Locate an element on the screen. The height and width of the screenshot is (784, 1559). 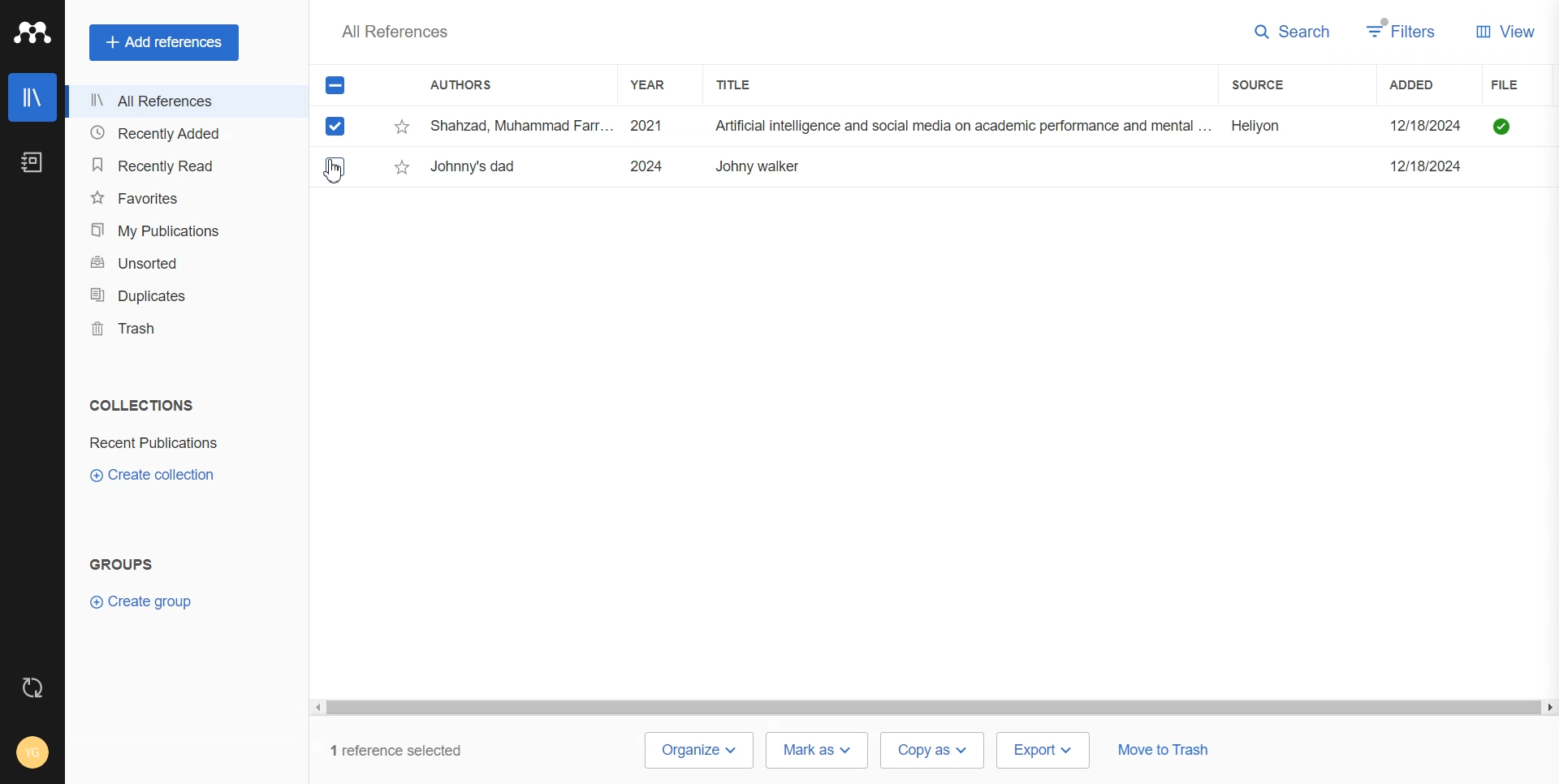
View is located at coordinates (1505, 30).